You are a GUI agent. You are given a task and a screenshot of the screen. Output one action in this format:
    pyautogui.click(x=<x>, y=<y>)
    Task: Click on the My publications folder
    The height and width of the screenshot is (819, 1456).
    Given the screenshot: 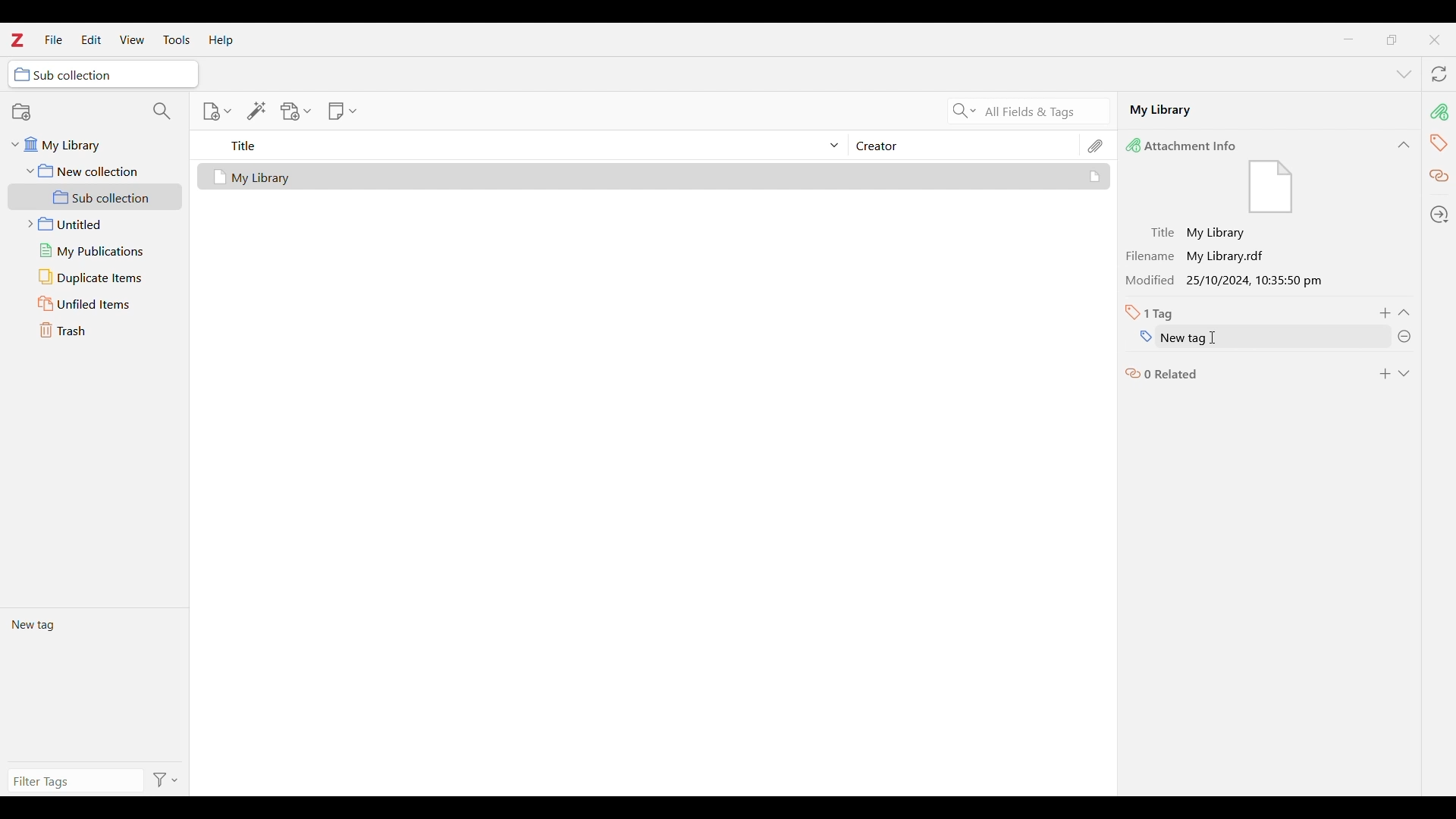 What is the action you would take?
    pyautogui.click(x=94, y=250)
    